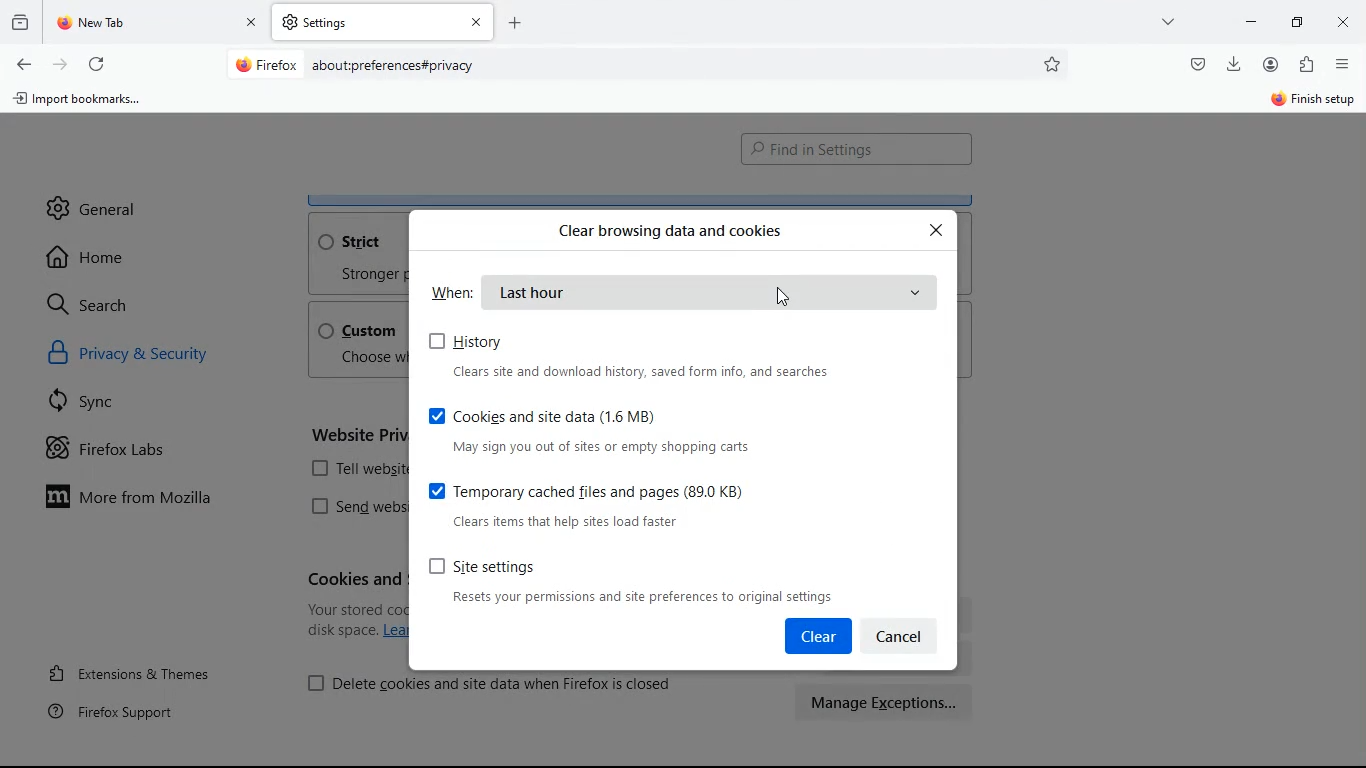 The height and width of the screenshot is (768, 1366). Describe the element at coordinates (856, 150) in the screenshot. I see `find` at that location.